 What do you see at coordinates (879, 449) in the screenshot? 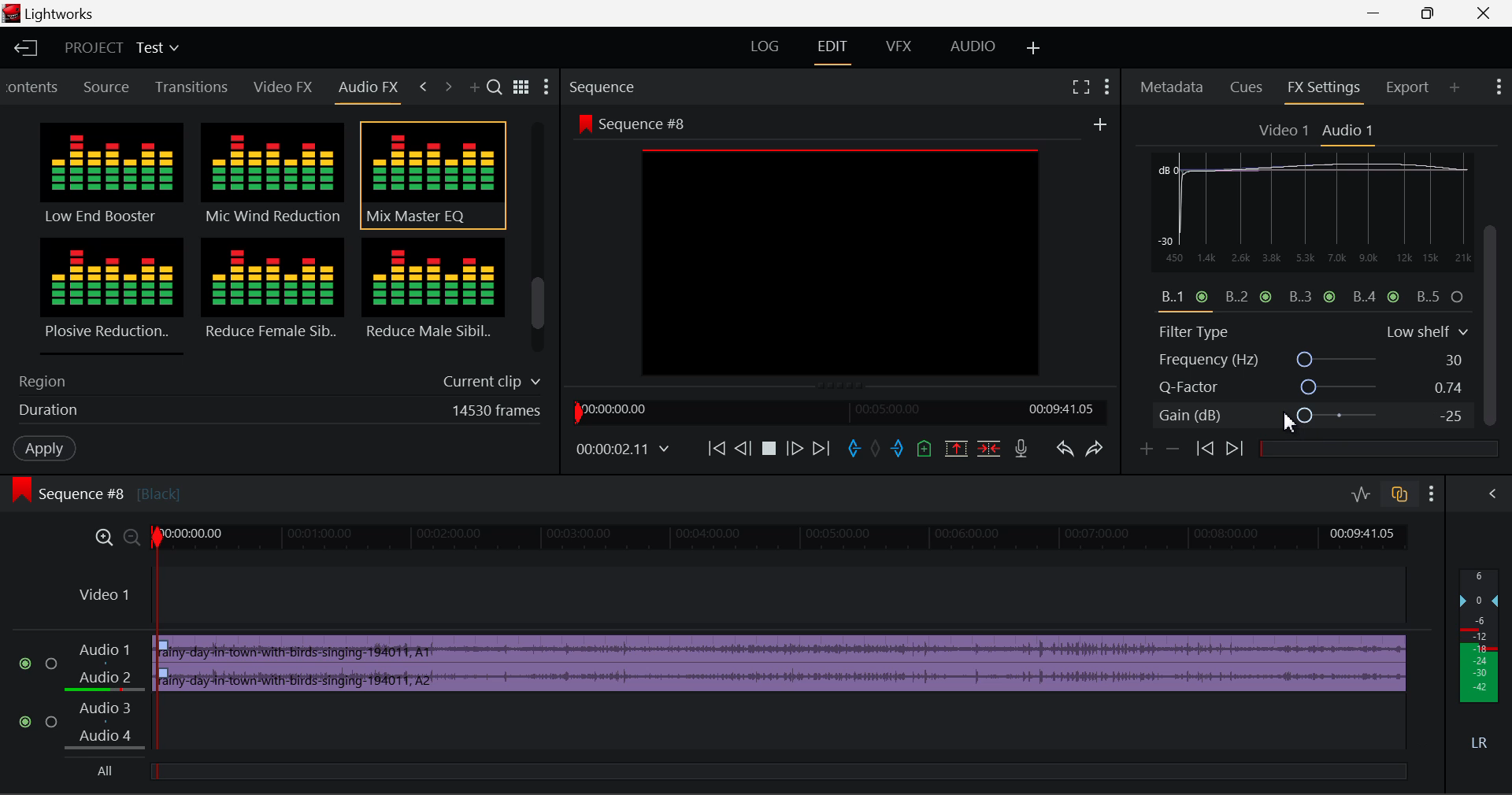
I see `Remove all marks` at bounding box center [879, 449].